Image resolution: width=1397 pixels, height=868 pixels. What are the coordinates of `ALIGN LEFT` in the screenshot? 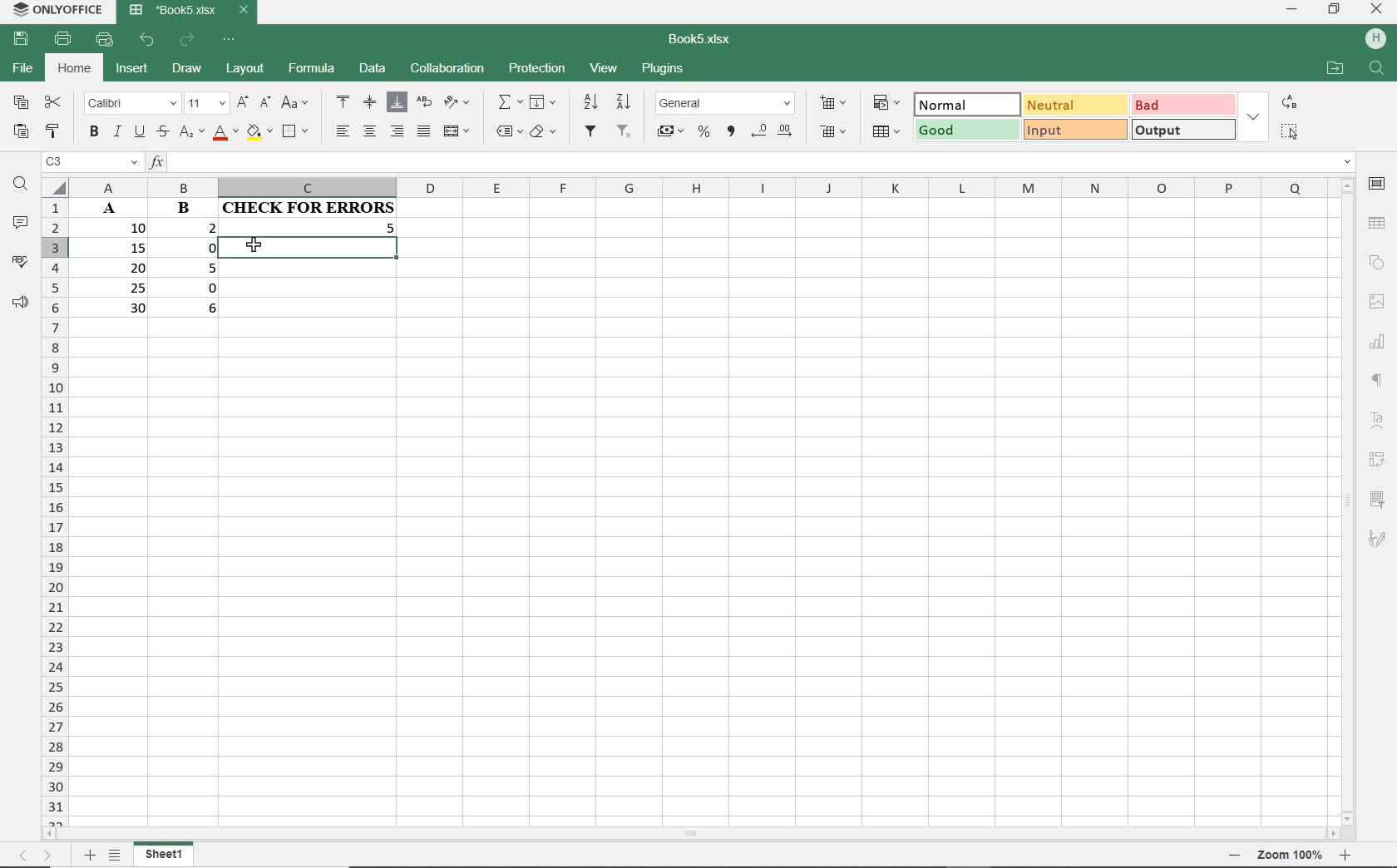 It's located at (343, 131).